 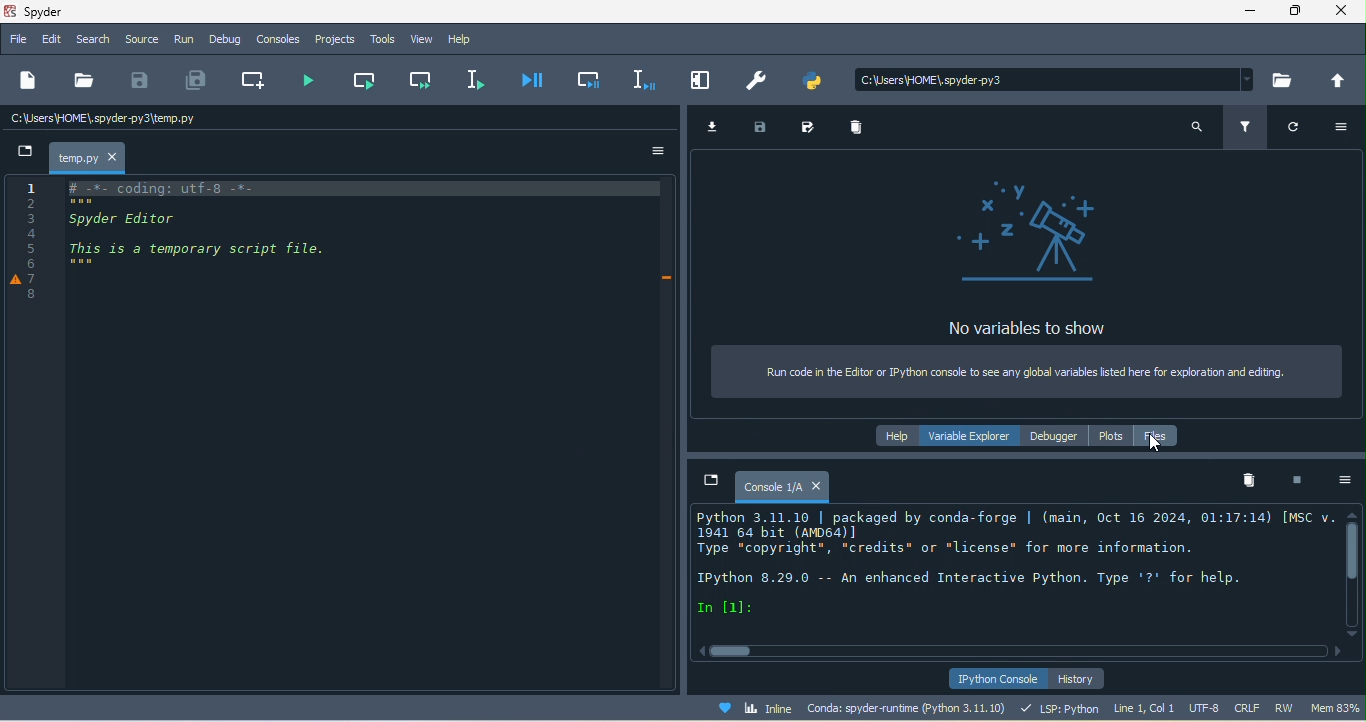 I want to click on debug, so click(x=224, y=39).